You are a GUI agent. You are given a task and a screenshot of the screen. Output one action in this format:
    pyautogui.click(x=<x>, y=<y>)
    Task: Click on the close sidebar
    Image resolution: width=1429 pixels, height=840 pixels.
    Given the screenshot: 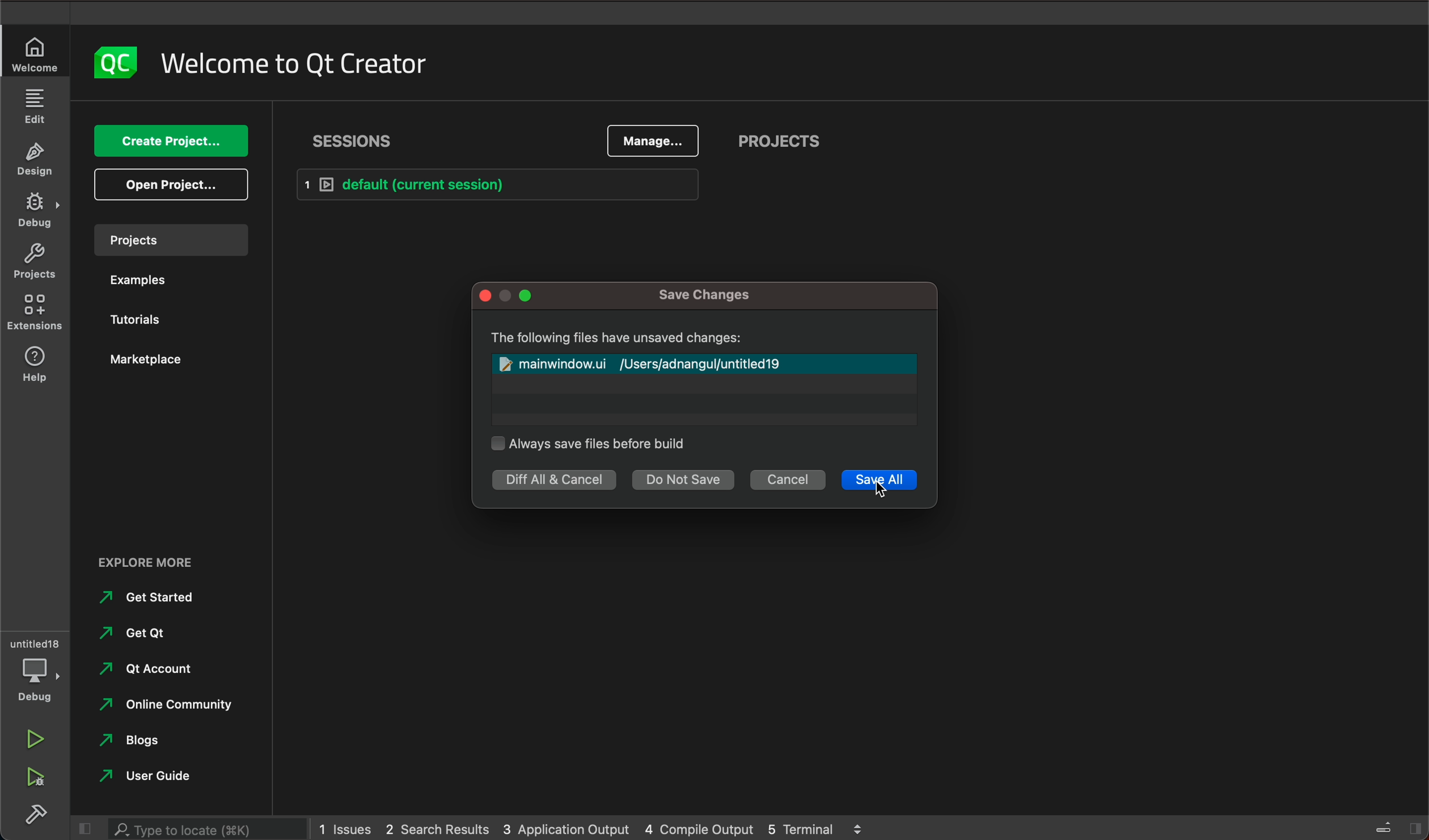 What is the action you would take?
    pyautogui.click(x=1400, y=827)
    